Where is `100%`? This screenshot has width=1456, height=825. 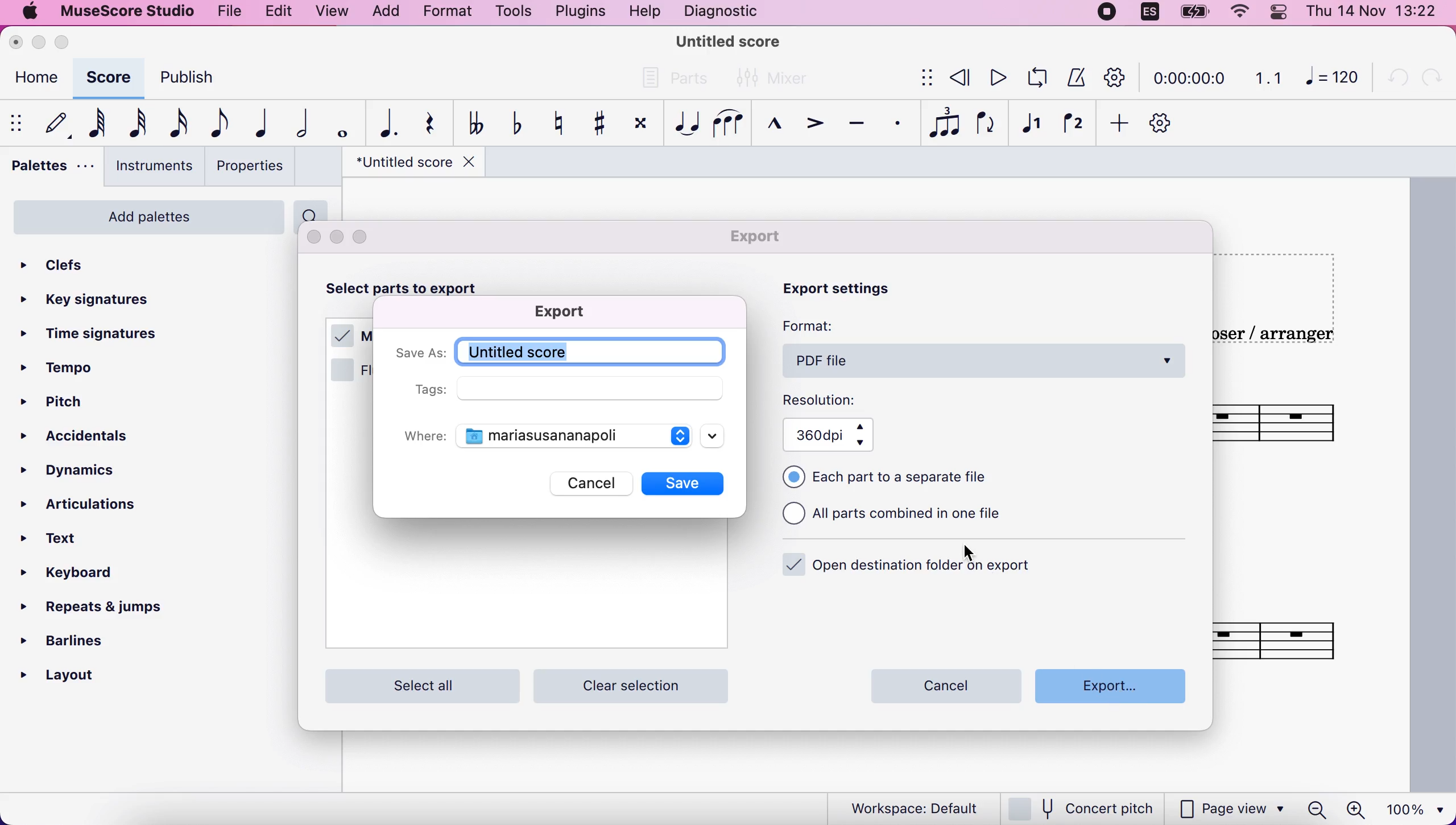 100% is located at coordinates (1418, 808).